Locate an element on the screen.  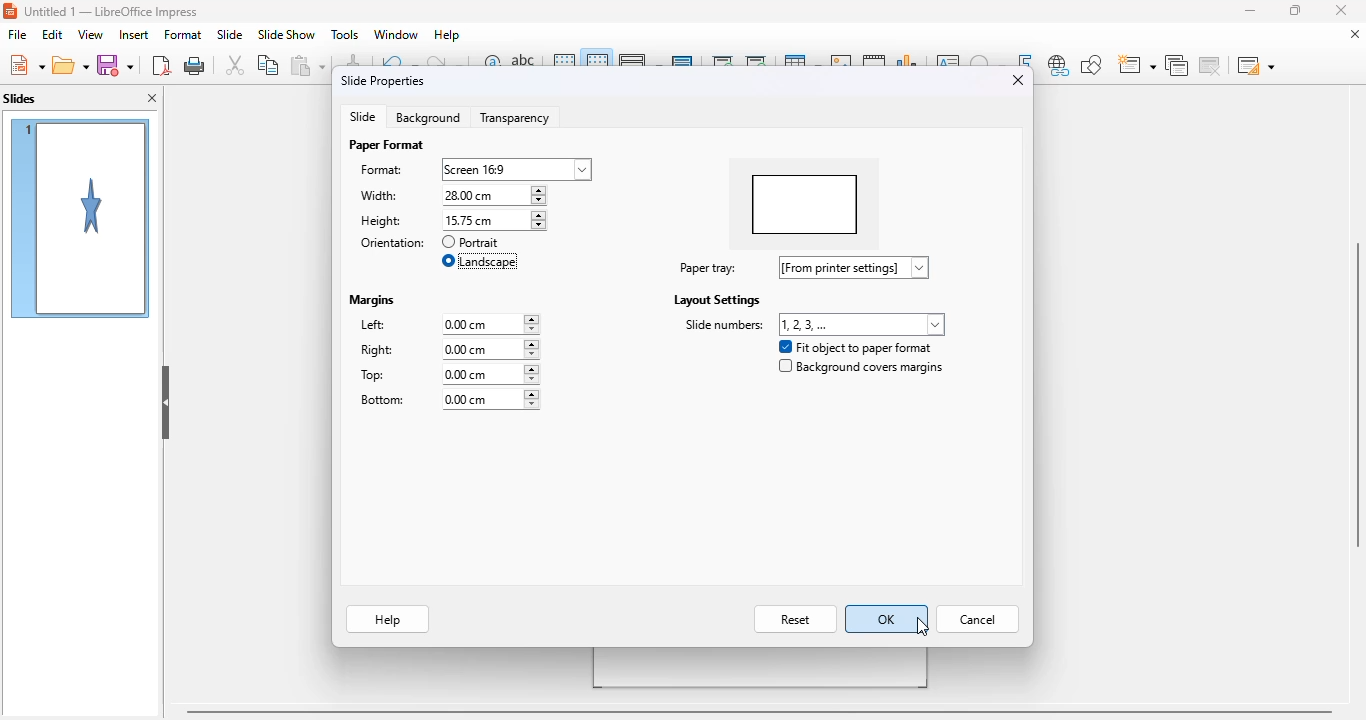
cancel is located at coordinates (978, 619).